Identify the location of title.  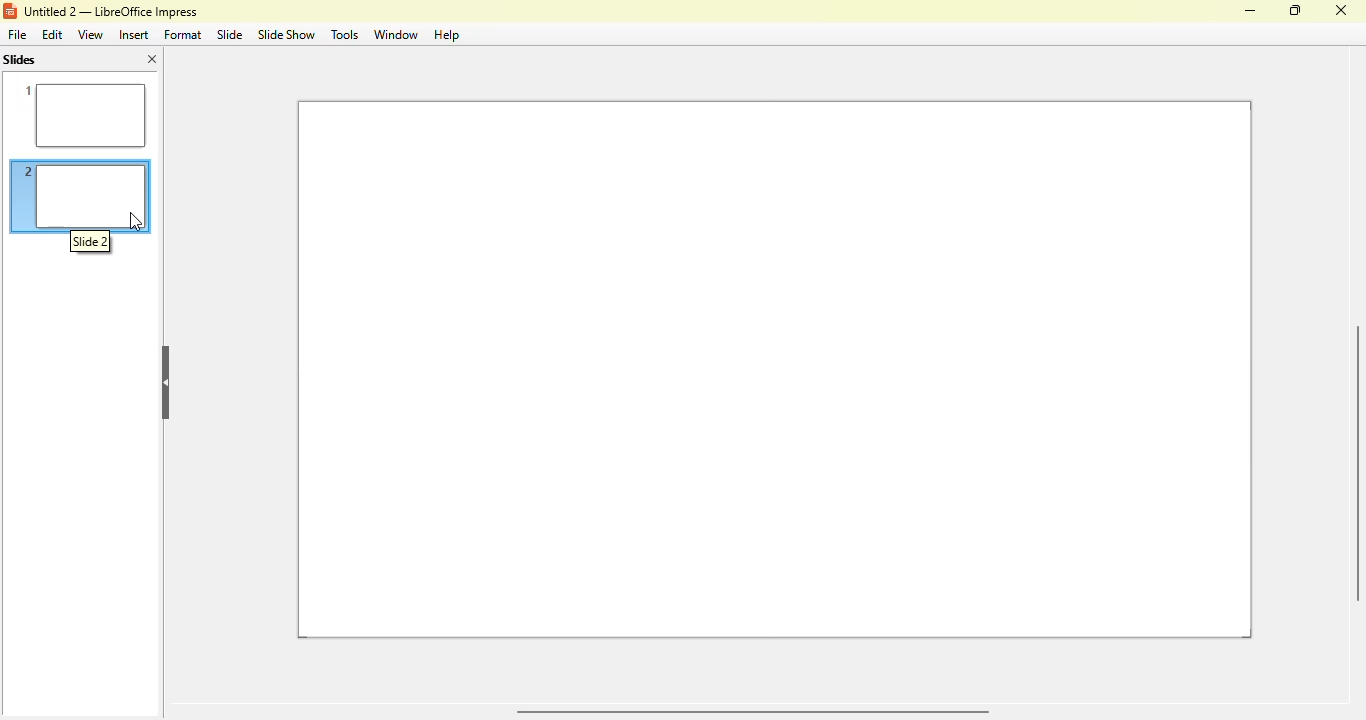
(110, 12).